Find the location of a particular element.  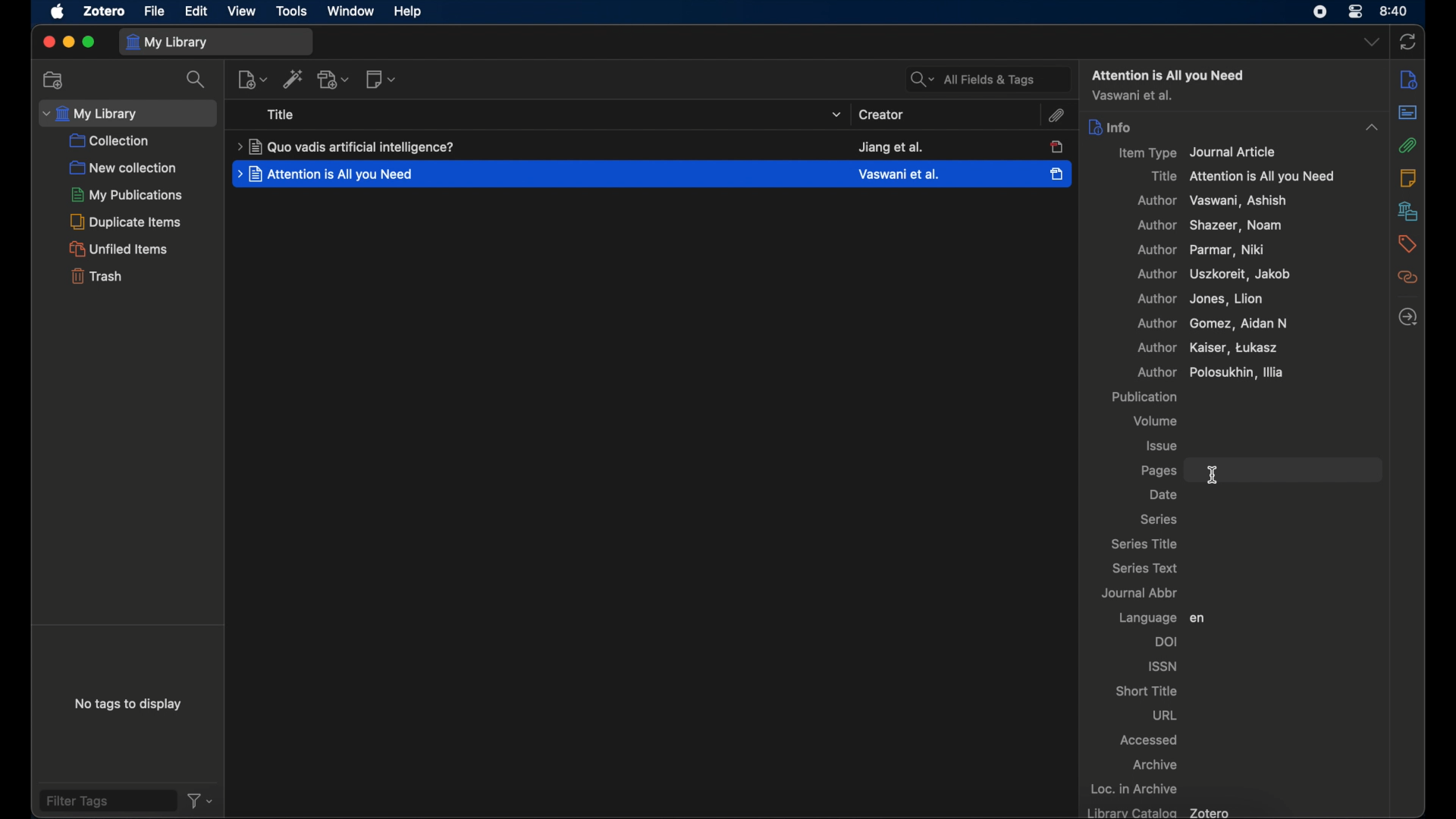

my publications is located at coordinates (124, 195).